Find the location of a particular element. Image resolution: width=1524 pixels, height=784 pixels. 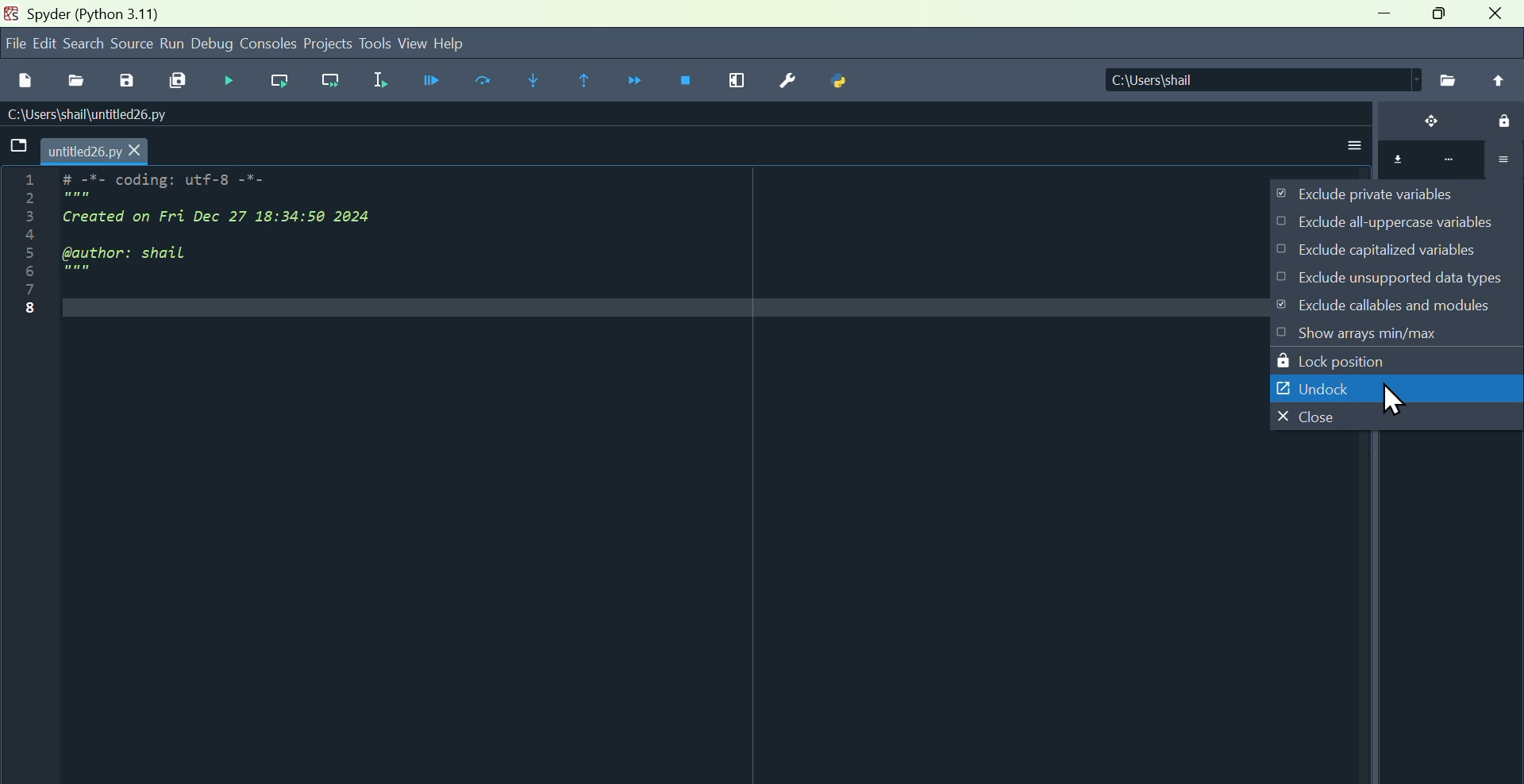

Spyder Python 3.1.1 is located at coordinates (92, 13).